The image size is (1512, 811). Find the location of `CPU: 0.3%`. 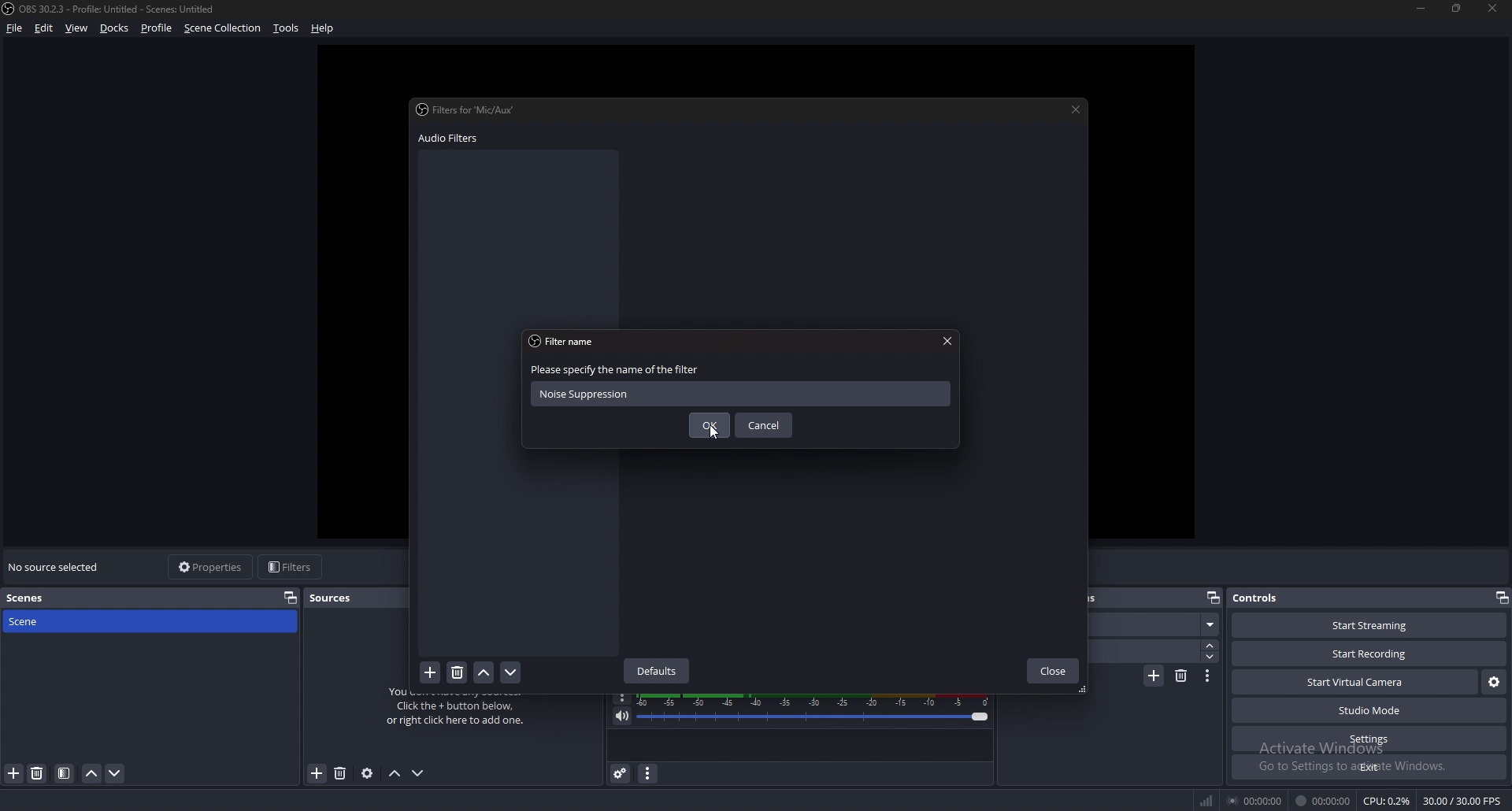

CPU: 0.3% is located at coordinates (1388, 802).